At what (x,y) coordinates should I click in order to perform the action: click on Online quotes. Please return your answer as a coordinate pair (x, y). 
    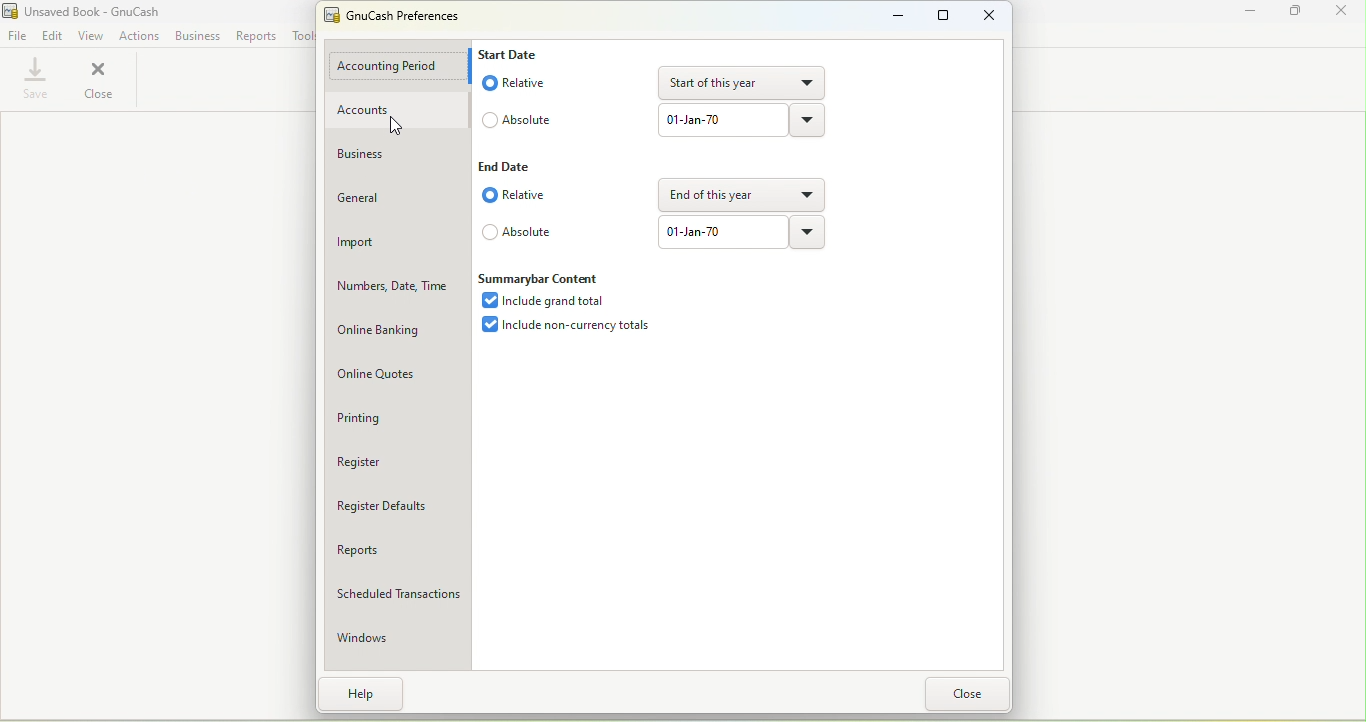
    Looking at the image, I should click on (399, 374).